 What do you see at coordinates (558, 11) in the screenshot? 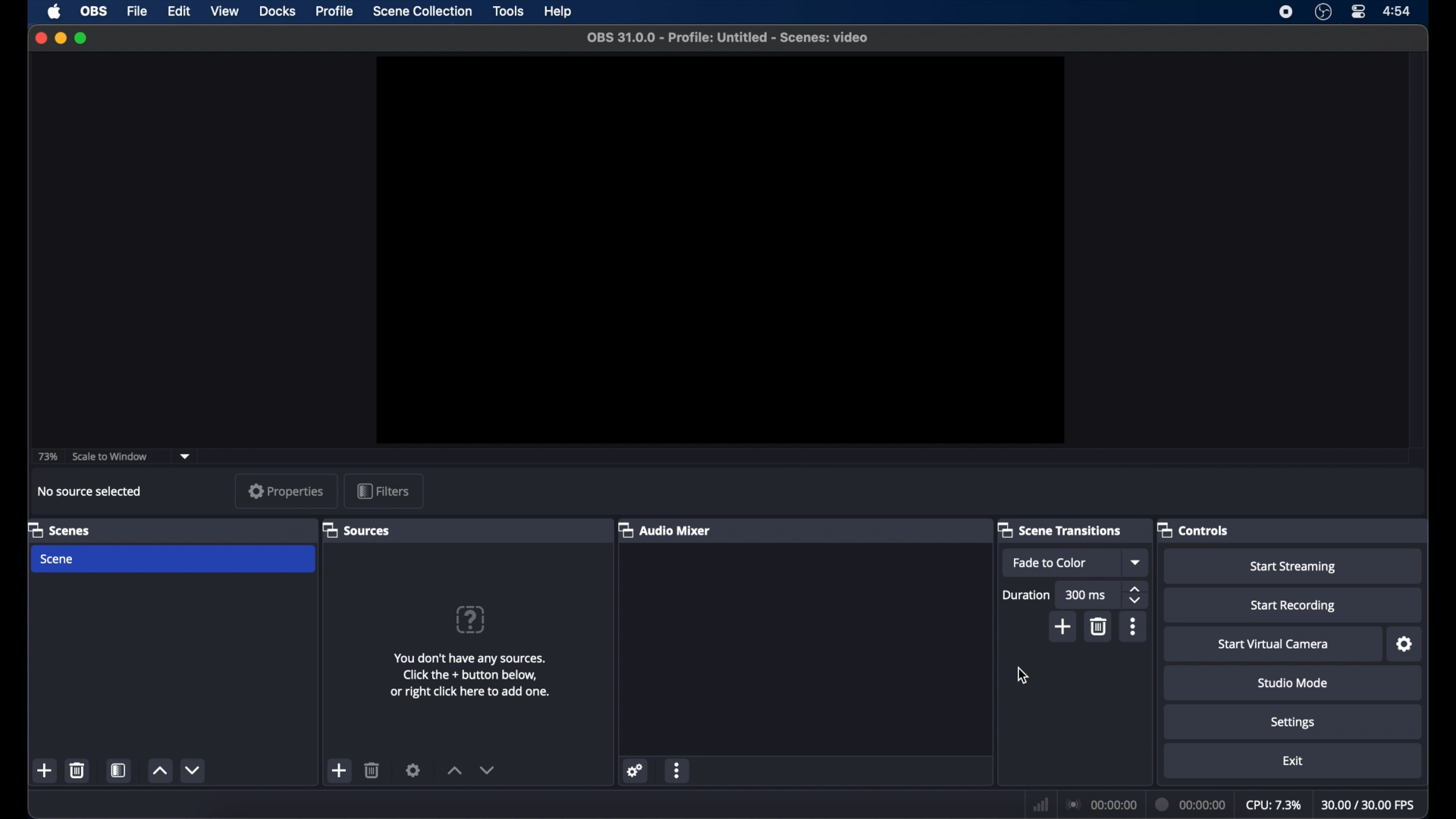
I see `help` at bounding box center [558, 11].